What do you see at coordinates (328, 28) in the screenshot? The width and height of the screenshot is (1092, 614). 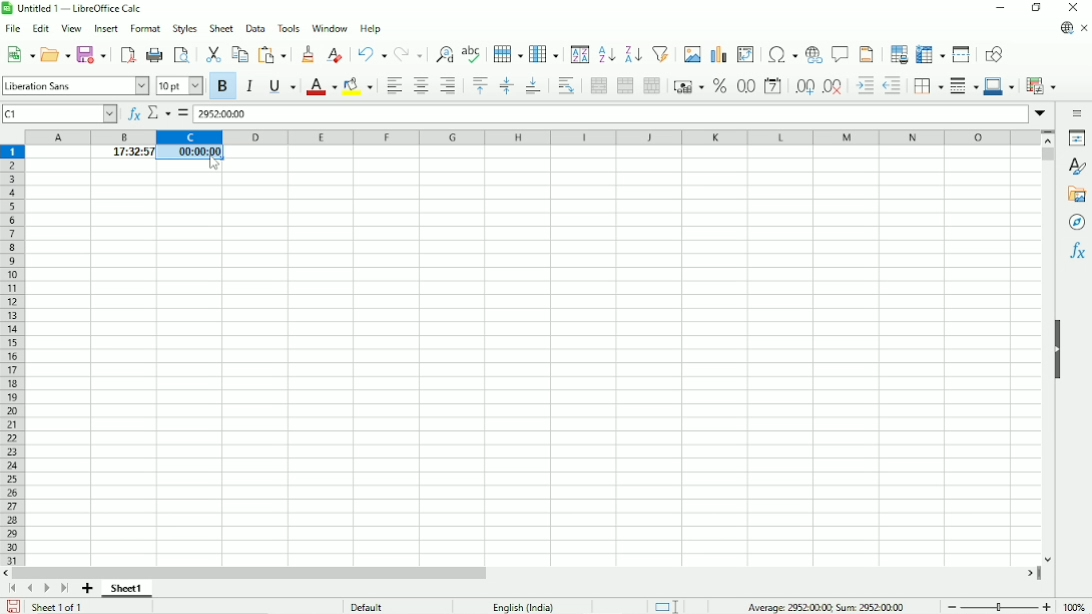 I see `Window` at bounding box center [328, 28].